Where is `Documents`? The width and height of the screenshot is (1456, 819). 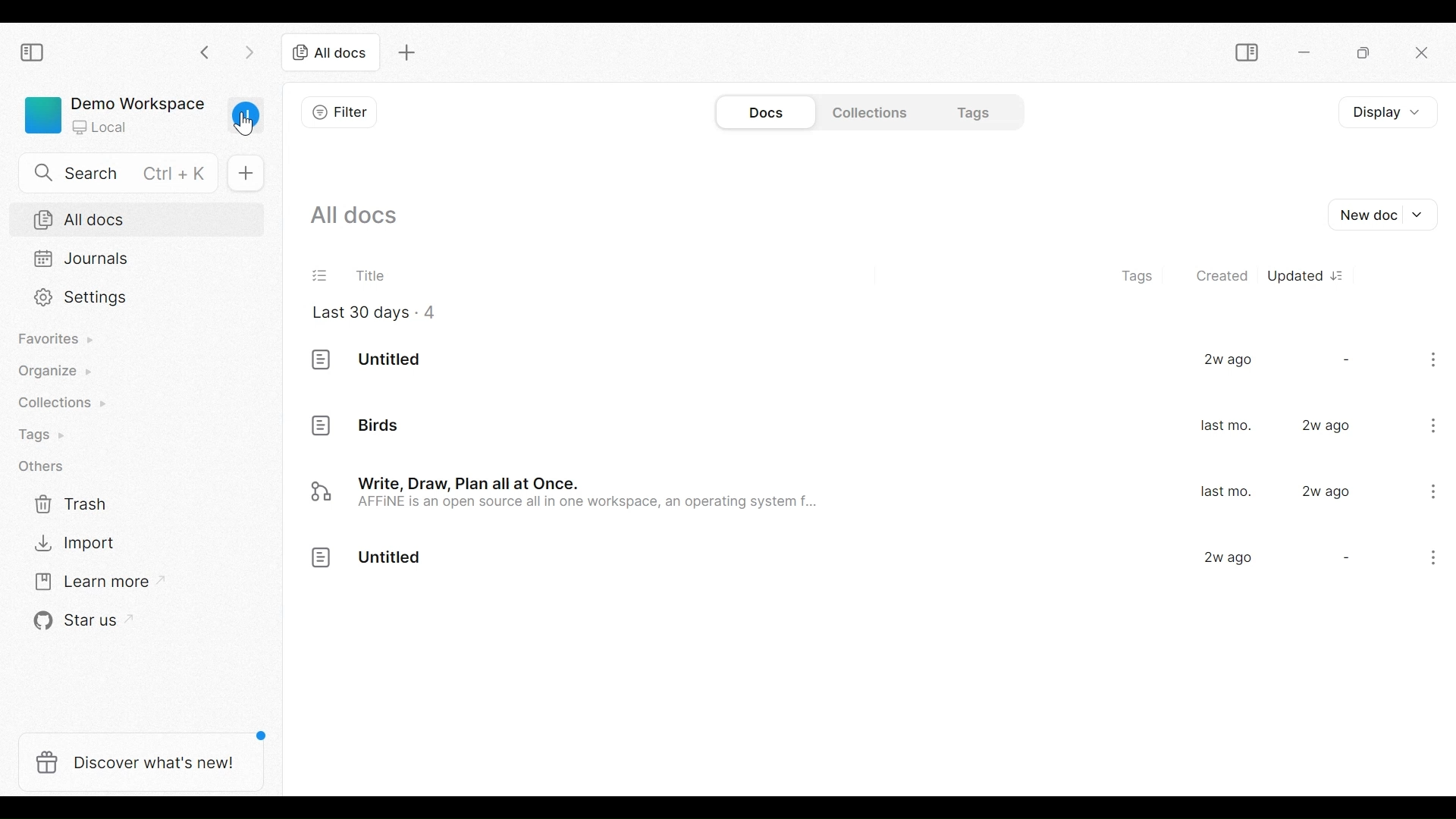 Documents is located at coordinates (770, 111).